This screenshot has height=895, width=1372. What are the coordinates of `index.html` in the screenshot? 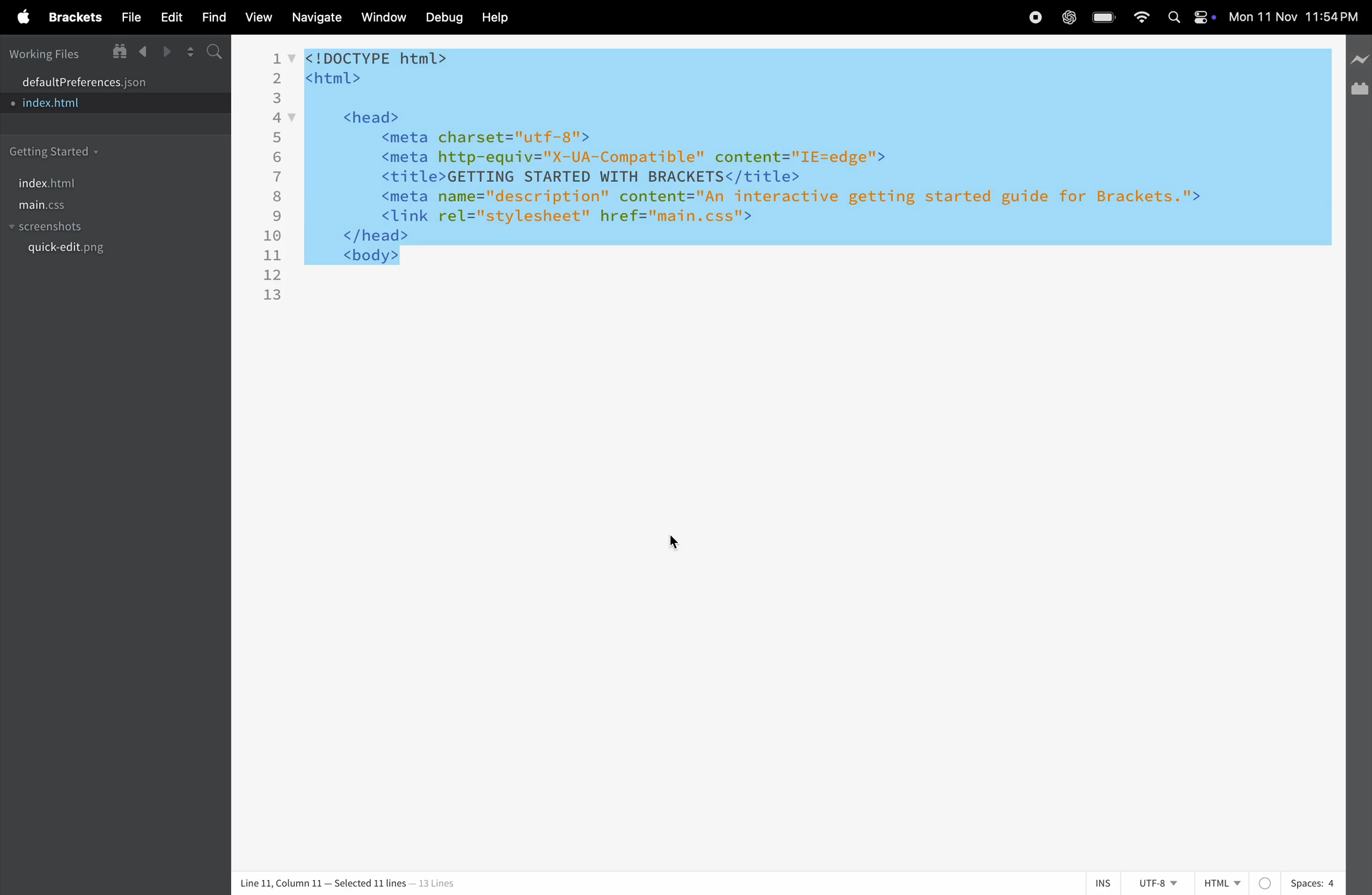 It's located at (98, 104).